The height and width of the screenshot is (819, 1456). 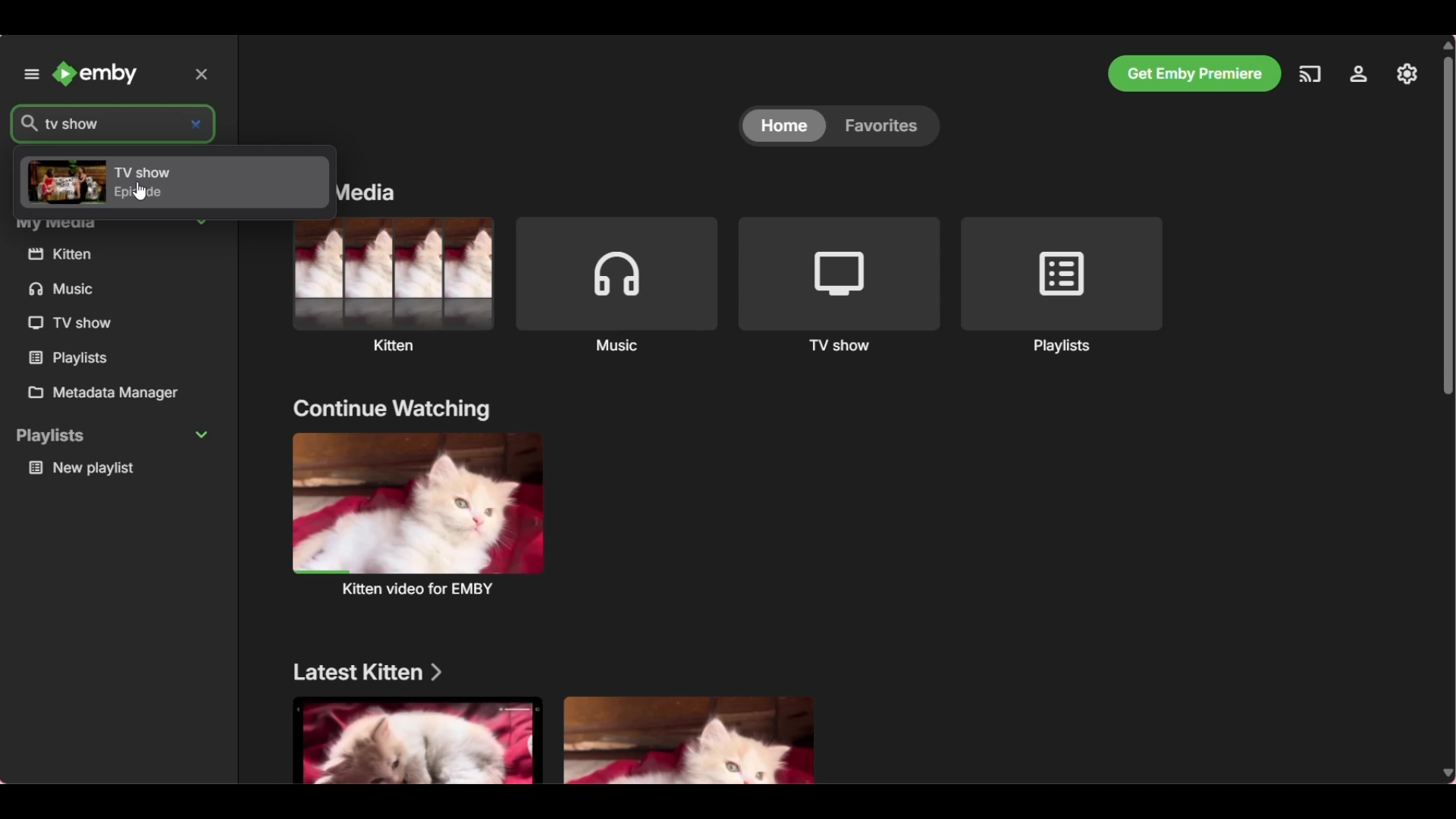 What do you see at coordinates (886, 125) in the screenshot?
I see `favorites` at bounding box center [886, 125].